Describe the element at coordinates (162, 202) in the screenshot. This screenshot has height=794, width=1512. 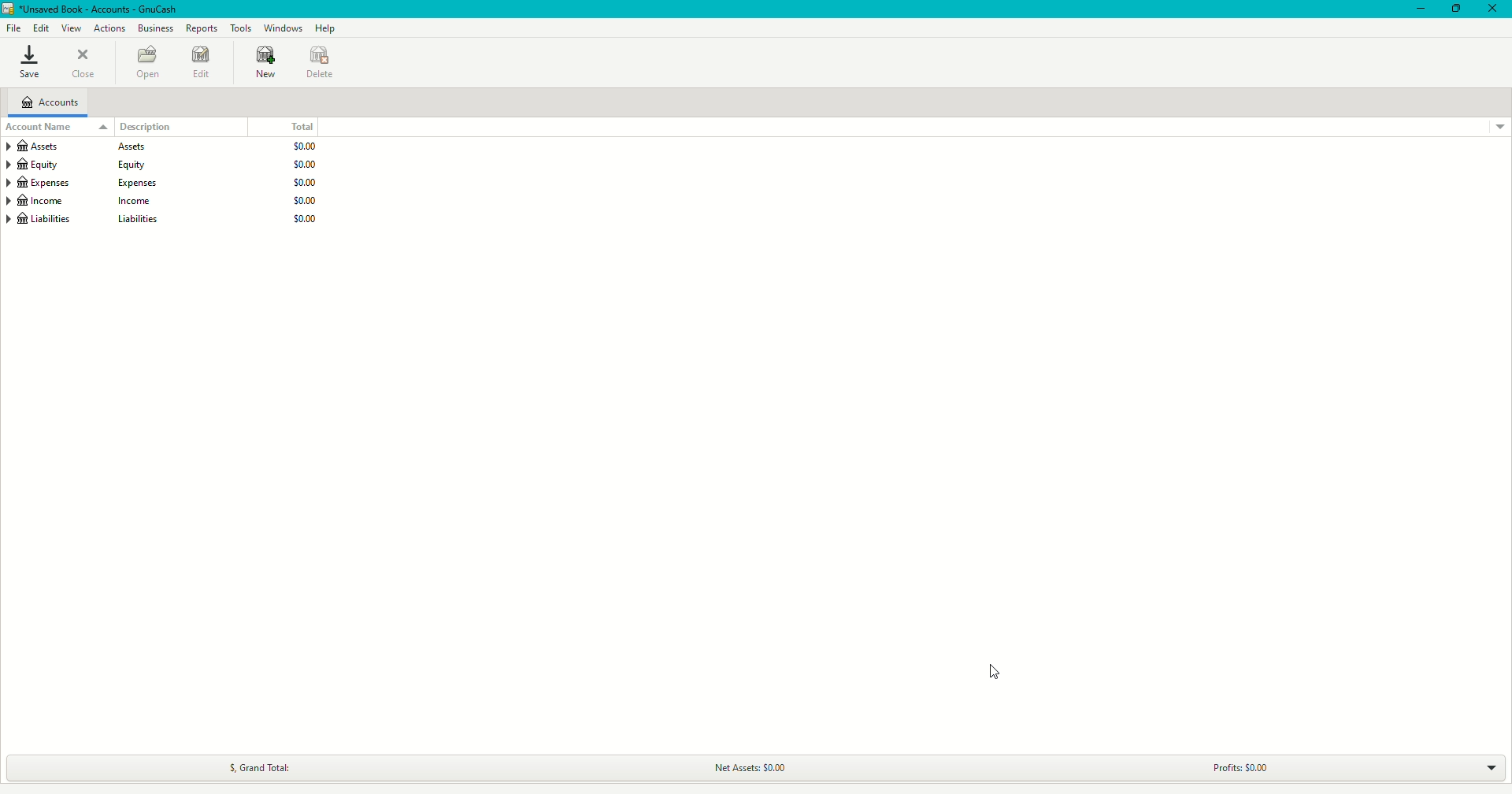
I see `Income` at that location.